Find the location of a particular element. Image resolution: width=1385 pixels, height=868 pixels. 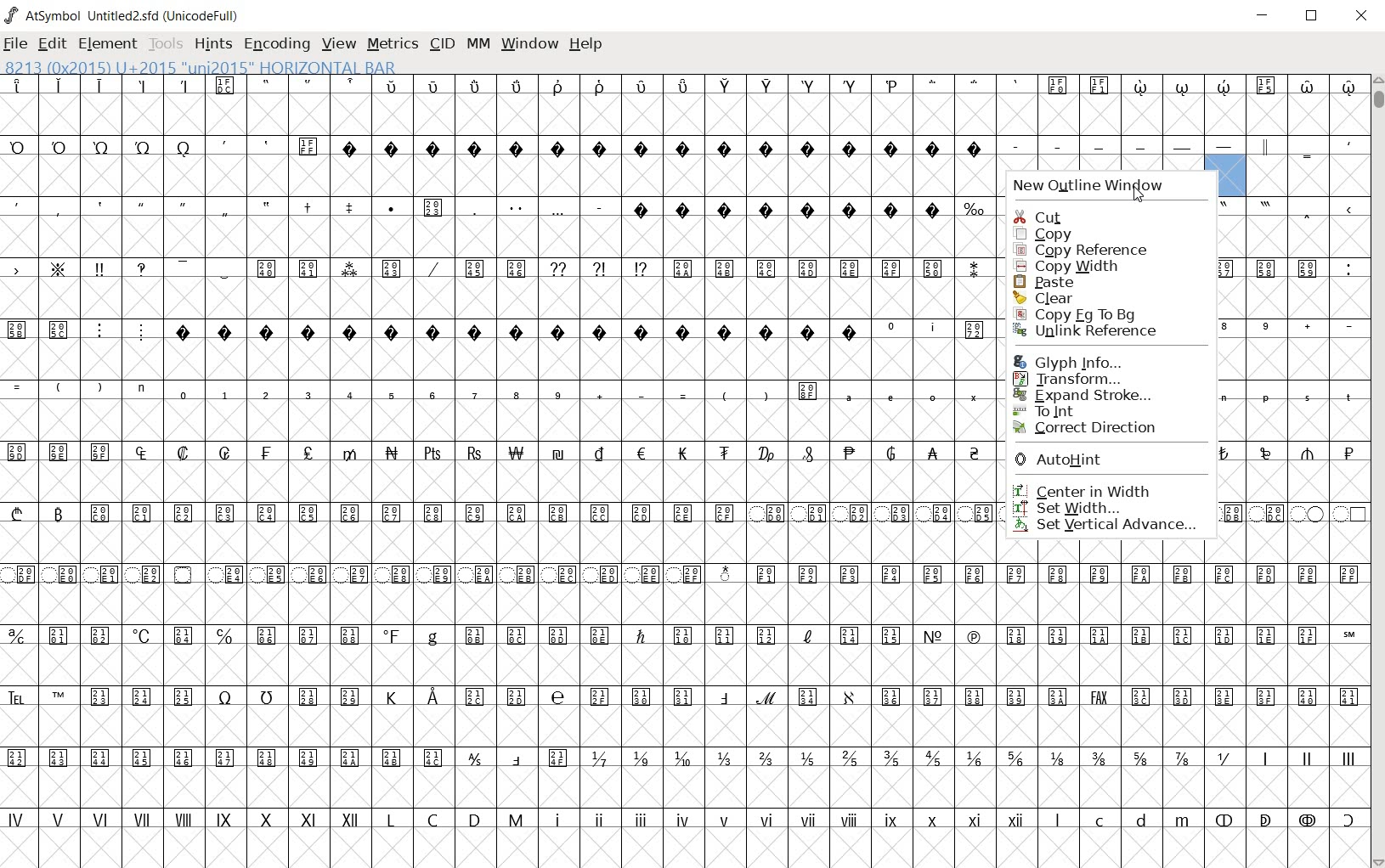

TOOLS is located at coordinates (168, 45).